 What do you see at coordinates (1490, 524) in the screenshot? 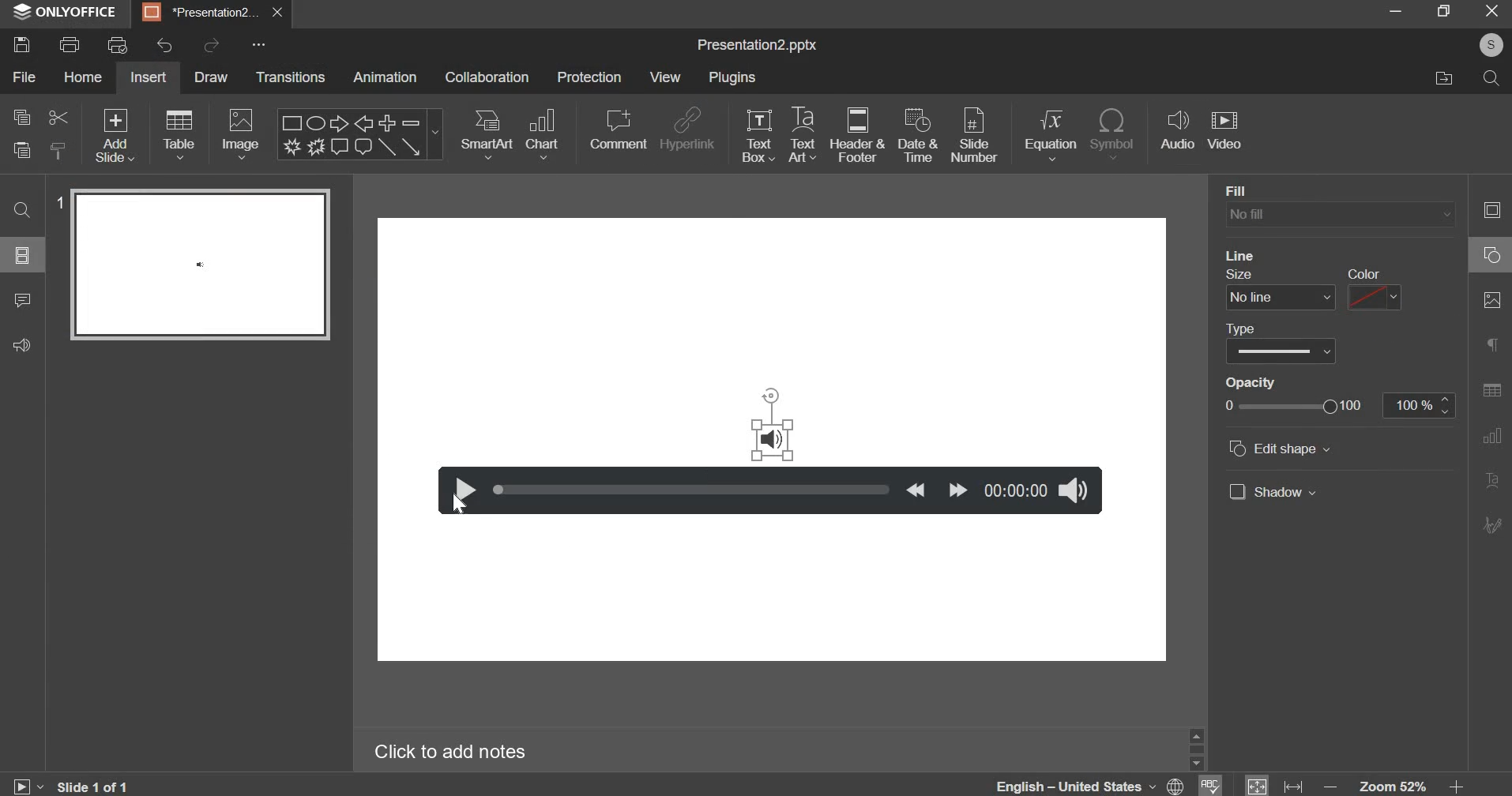
I see `signature settings` at bounding box center [1490, 524].